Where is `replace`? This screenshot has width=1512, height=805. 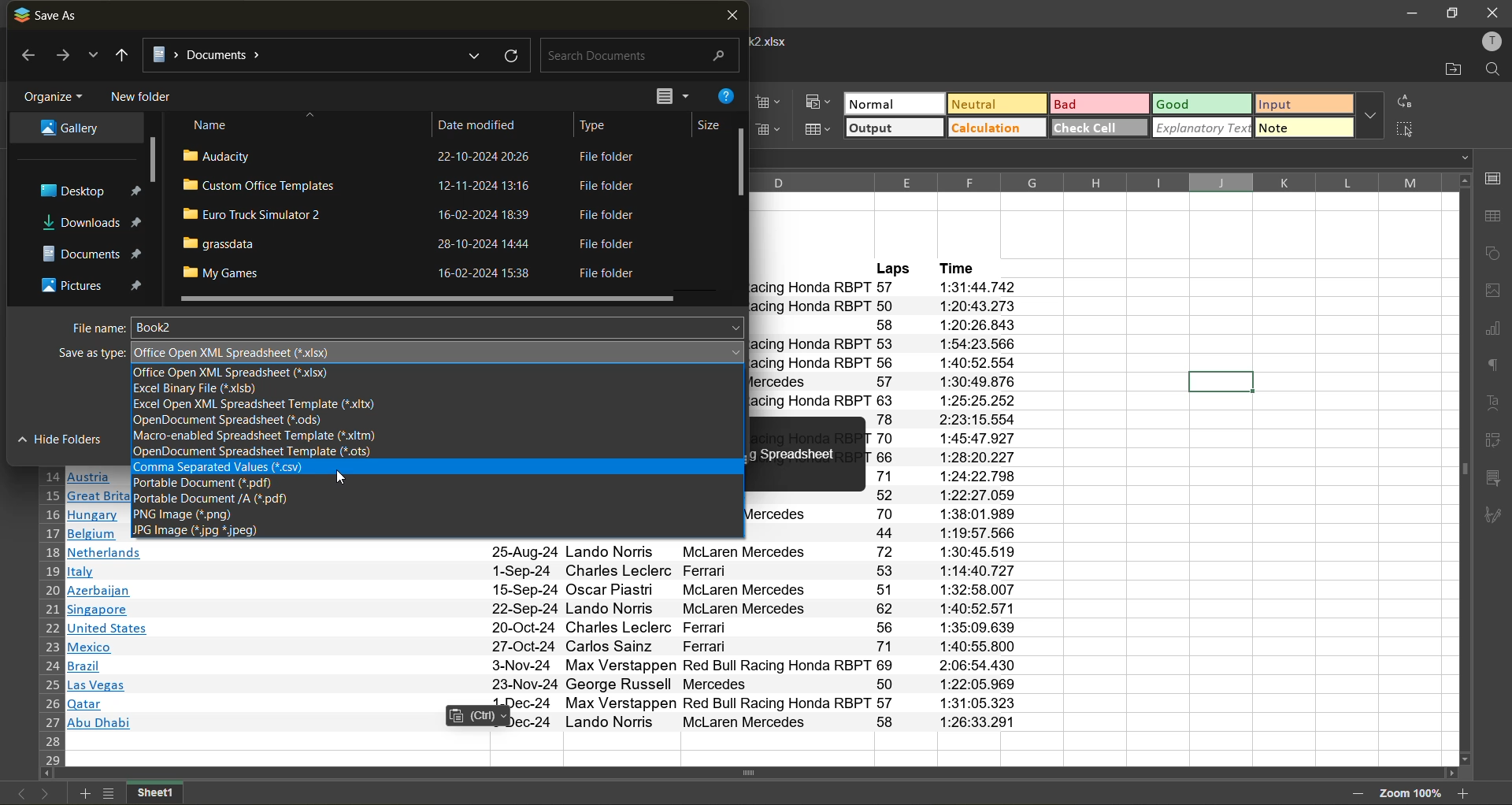 replace is located at coordinates (1408, 101).